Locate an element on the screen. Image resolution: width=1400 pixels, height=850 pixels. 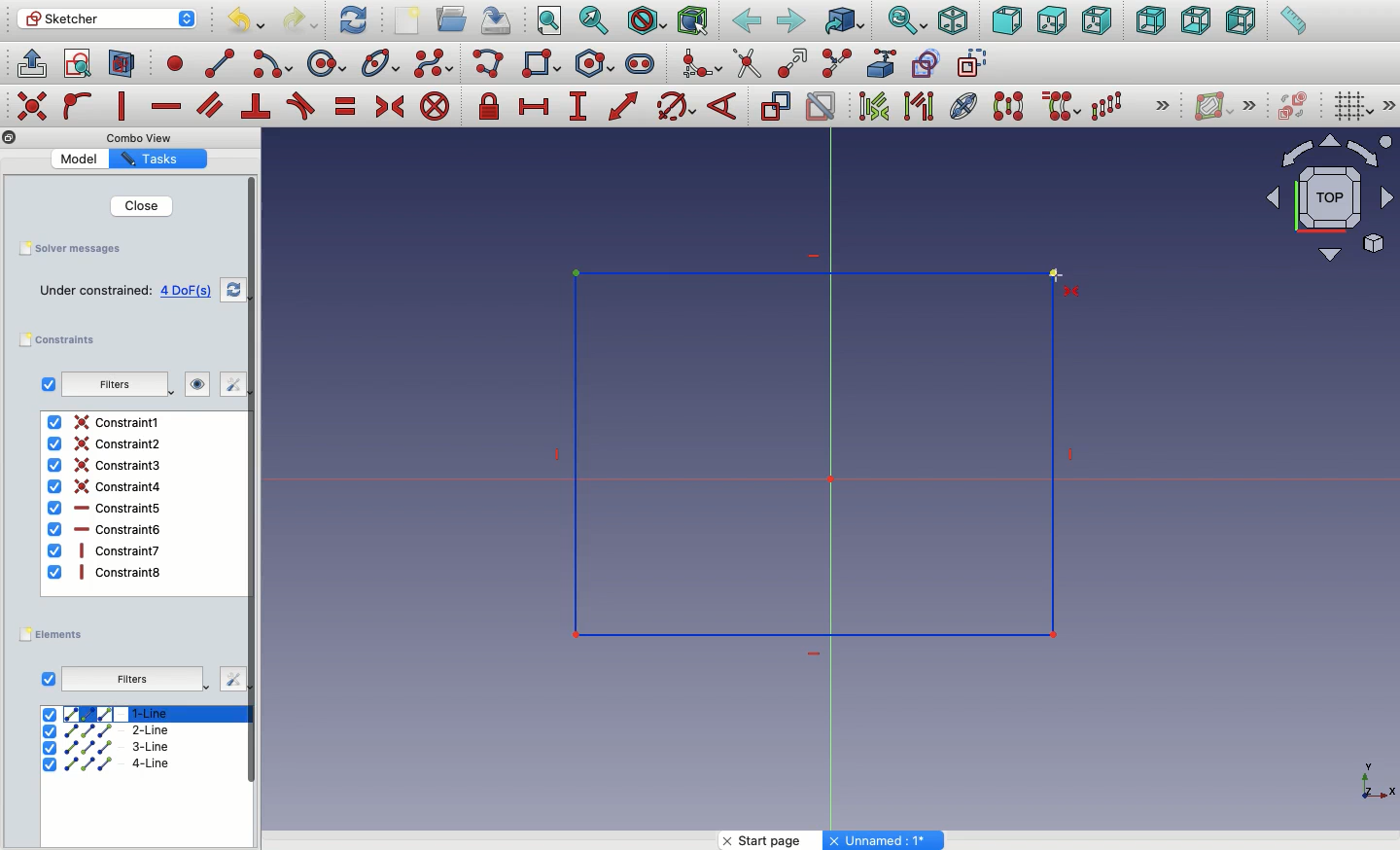
Model is located at coordinates (83, 159).